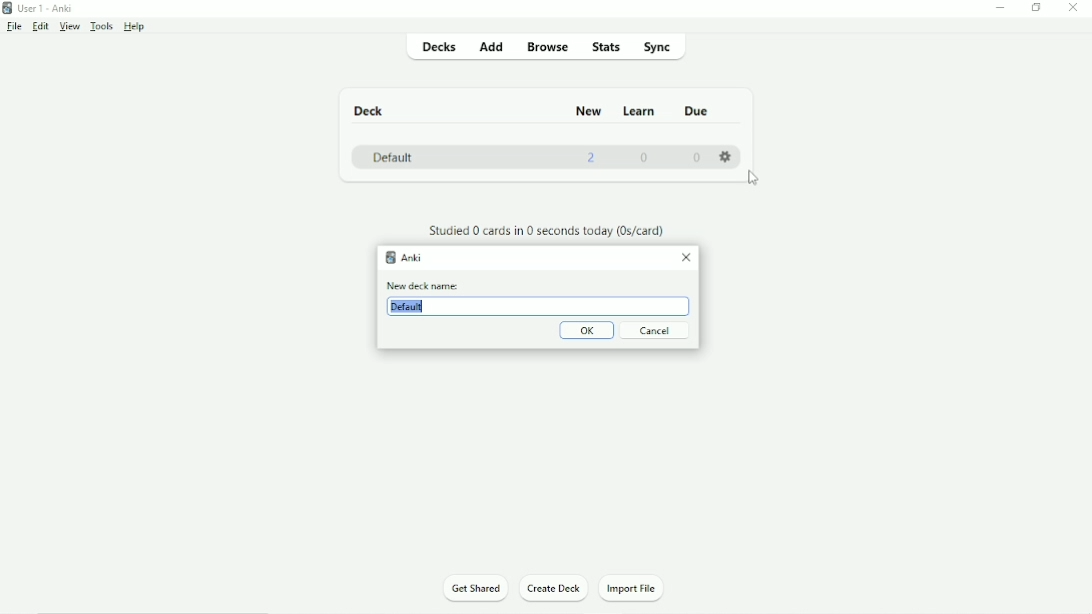 Image resolution: width=1092 pixels, height=614 pixels. What do you see at coordinates (69, 26) in the screenshot?
I see `View` at bounding box center [69, 26].